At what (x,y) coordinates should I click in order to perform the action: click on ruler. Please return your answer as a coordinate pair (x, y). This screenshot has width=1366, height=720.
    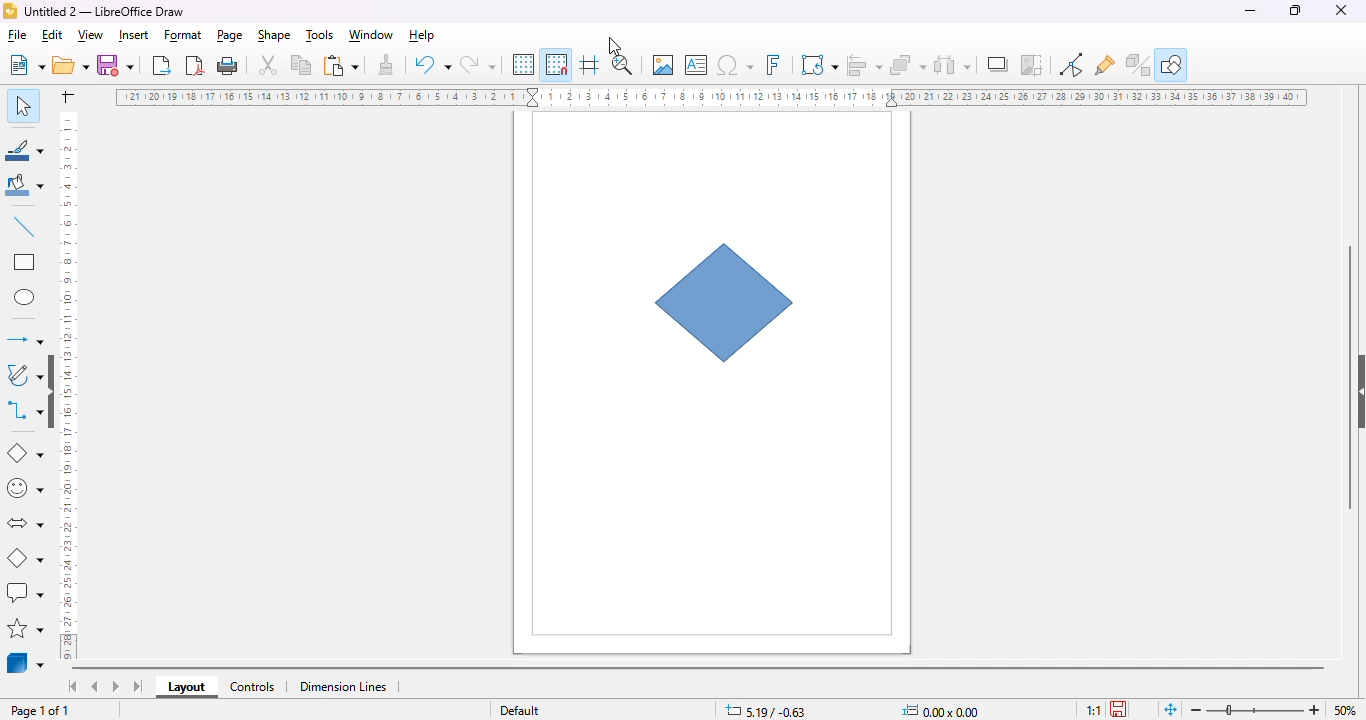
    Looking at the image, I should click on (68, 386).